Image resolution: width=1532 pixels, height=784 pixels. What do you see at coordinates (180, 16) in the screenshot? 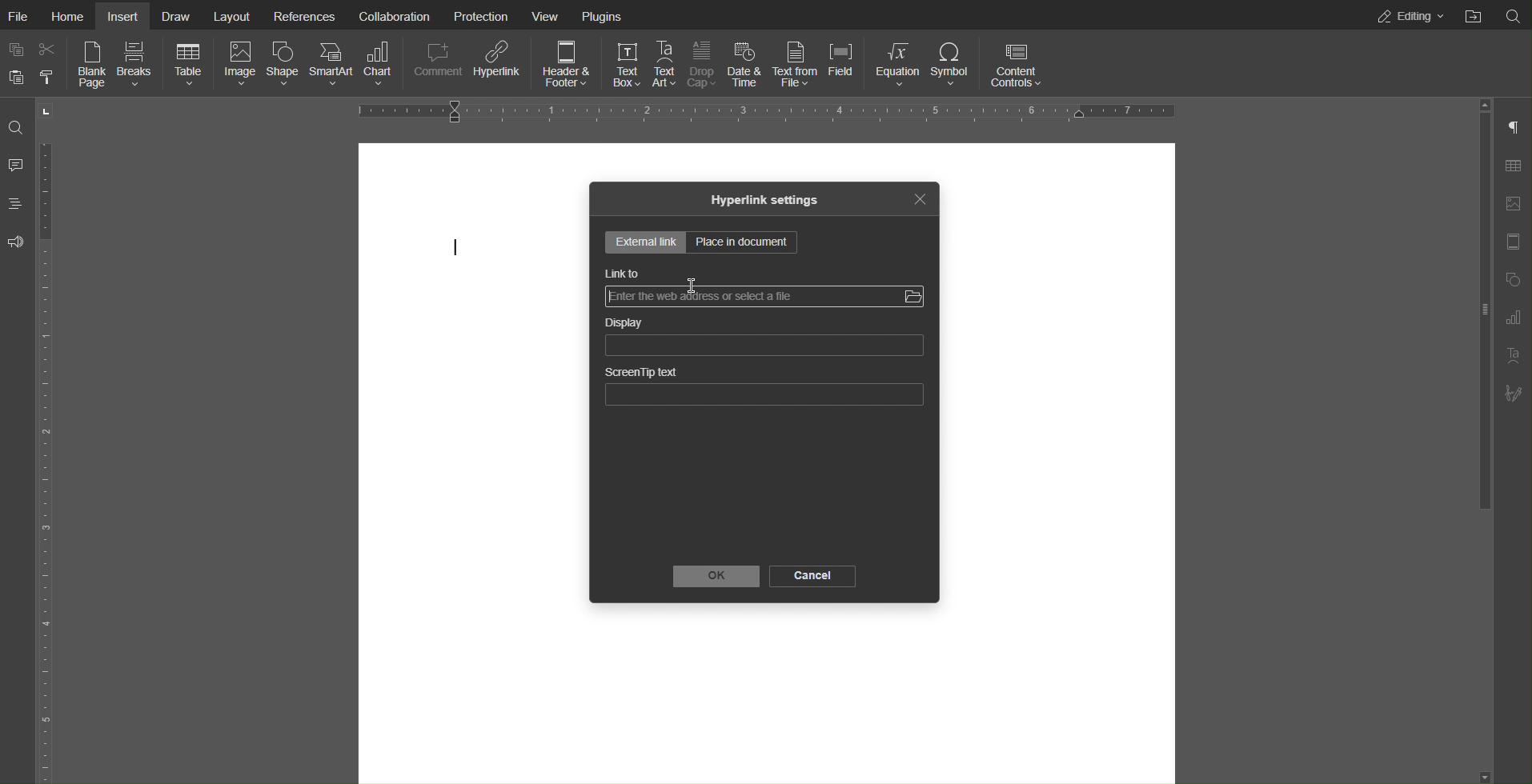
I see `Draw` at bounding box center [180, 16].